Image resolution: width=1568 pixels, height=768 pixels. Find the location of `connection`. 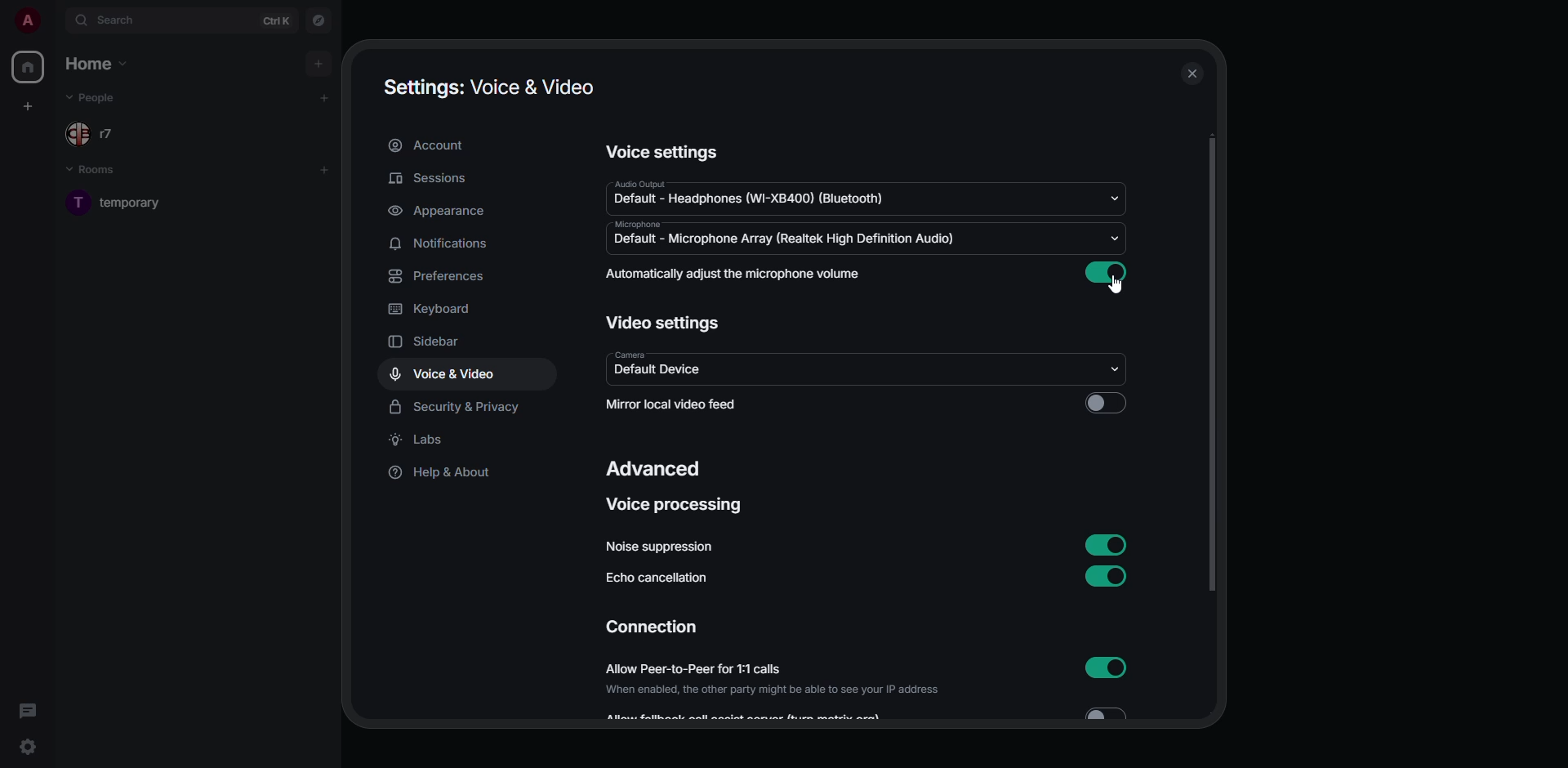

connection is located at coordinates (652, 627).